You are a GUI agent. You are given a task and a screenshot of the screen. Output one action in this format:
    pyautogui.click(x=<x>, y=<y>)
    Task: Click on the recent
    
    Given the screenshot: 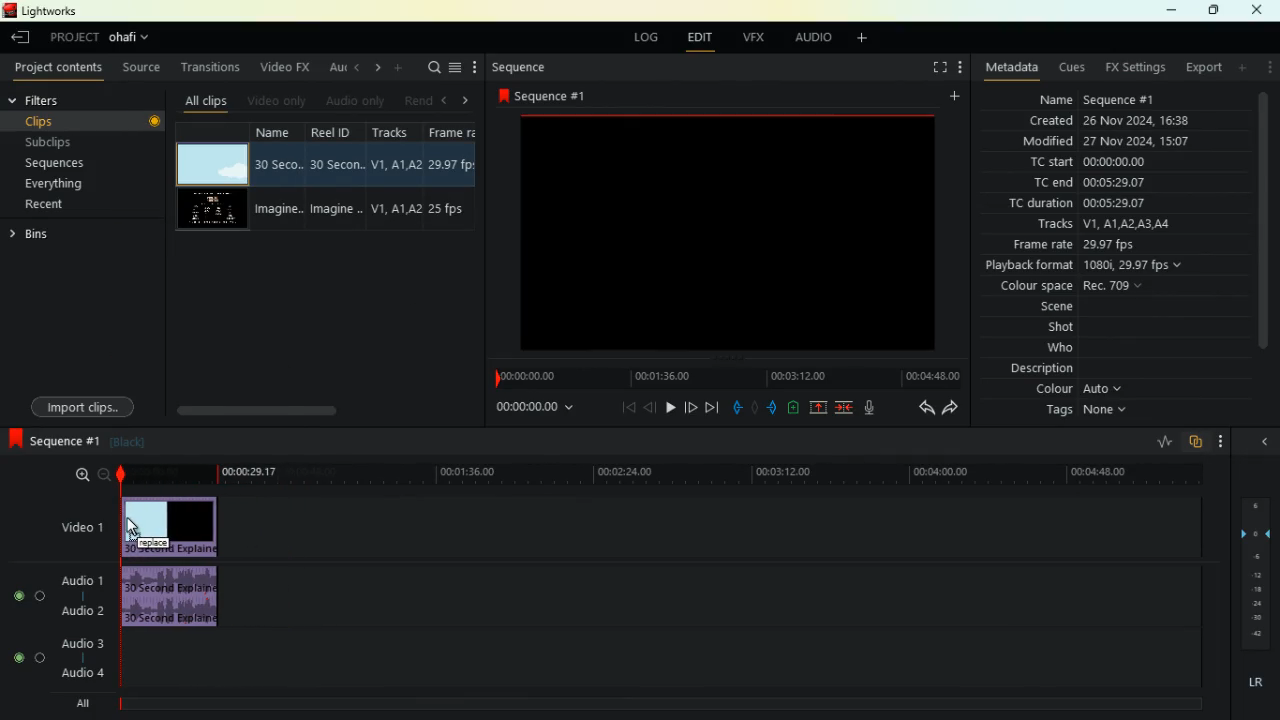 What is the action you would take?
    pyautogui.click(x=54, y=204)
    